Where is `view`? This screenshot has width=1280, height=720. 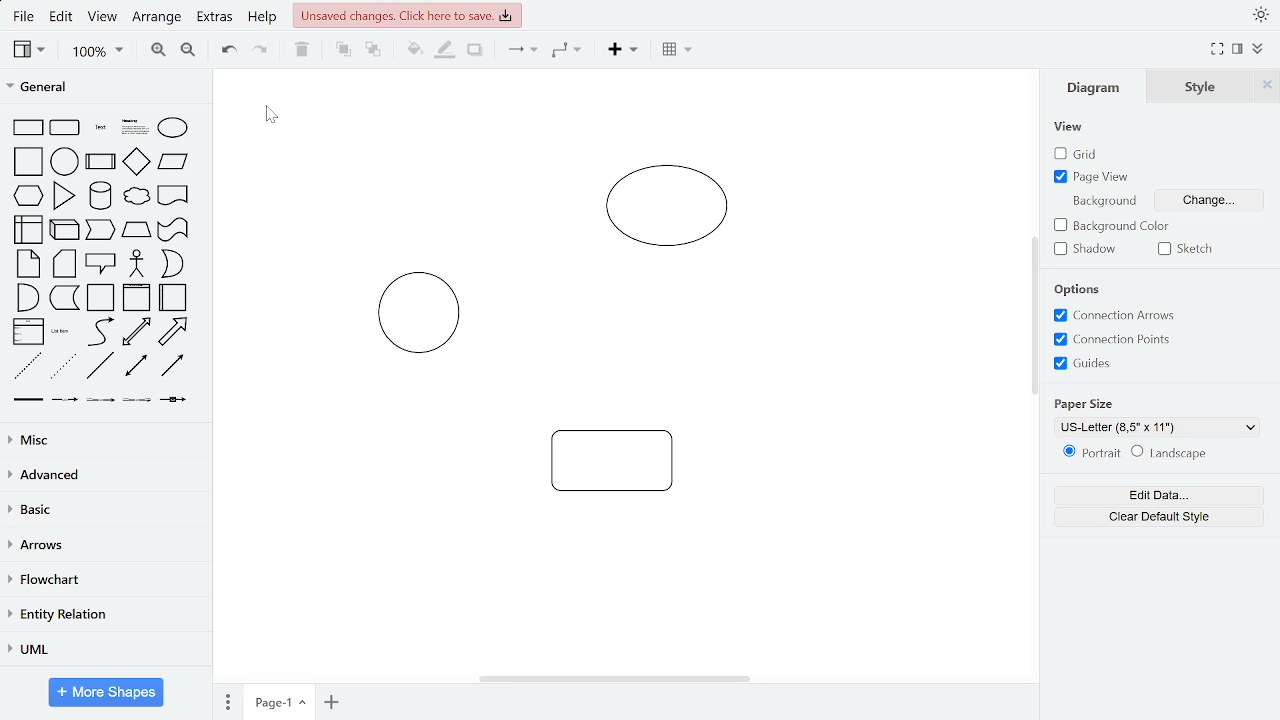
view is located at coordinates (1069, 127).